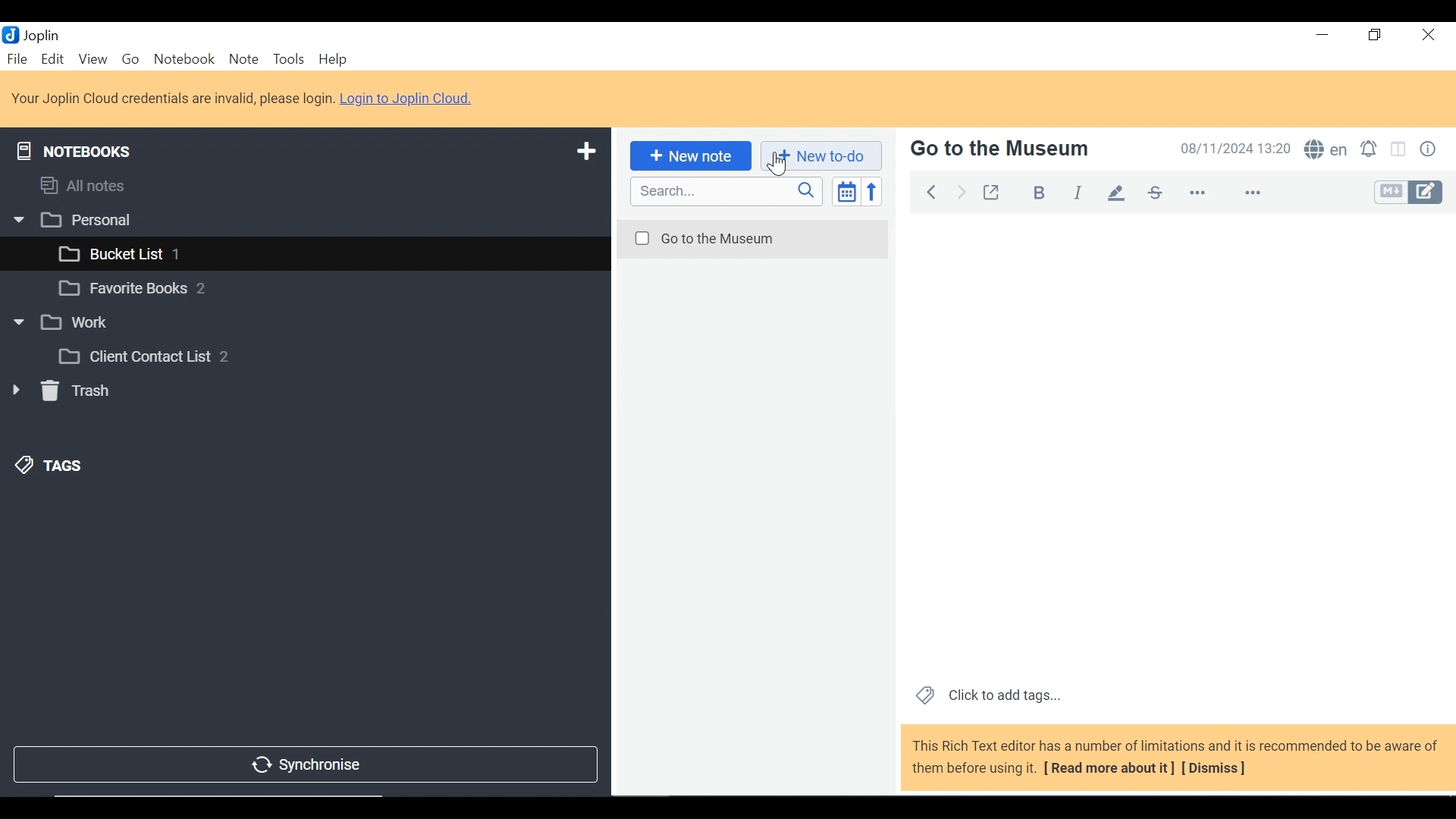 Image resolution: width=1456 pixels, height=819 pixels. What do you see at coordinates (18, 60) in the screenshot?
I see `File` at bounding box center [18, 60].